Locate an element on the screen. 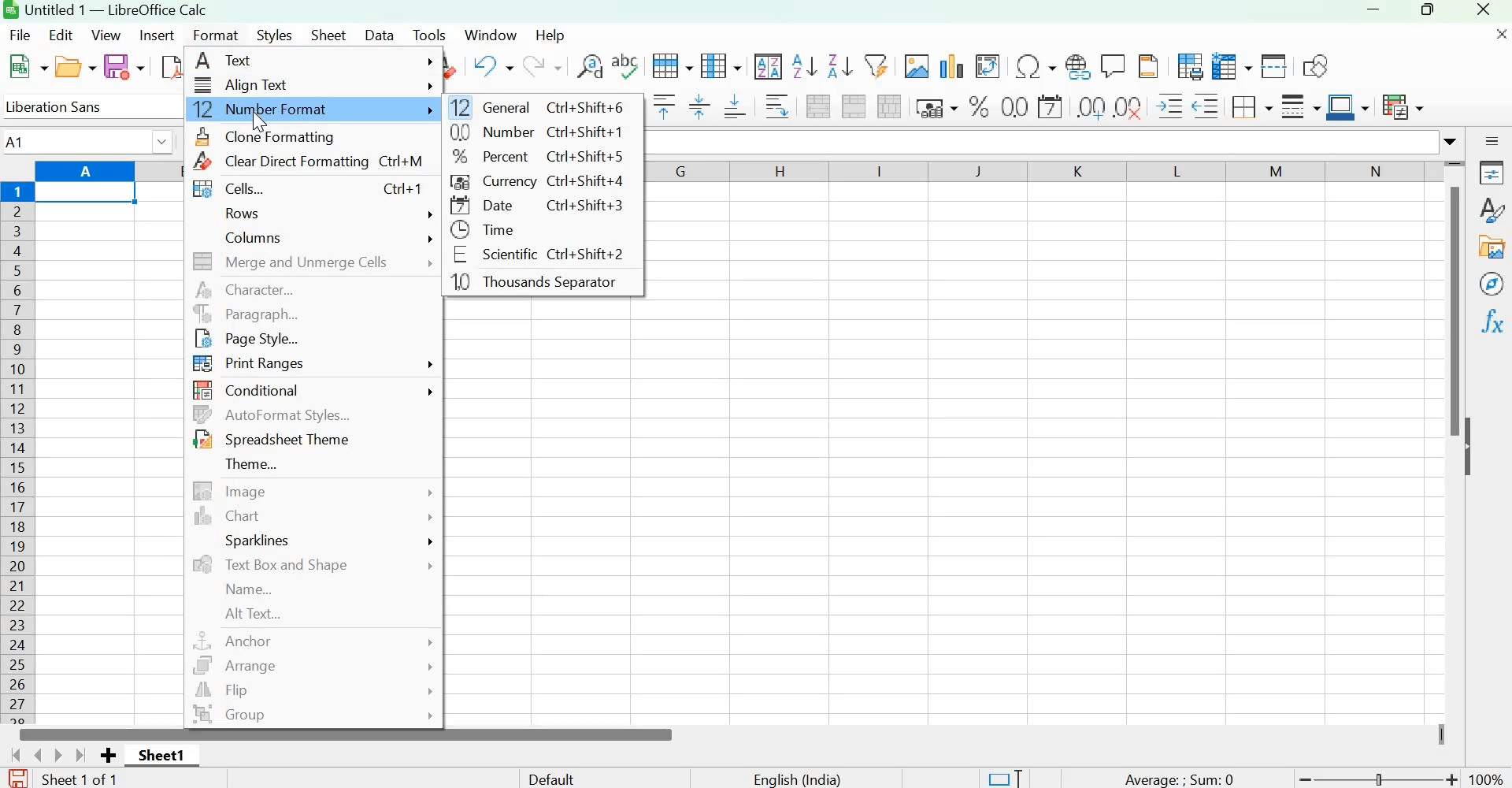 The image size is (1512, 788). Open is located at coordinates (75, 67).